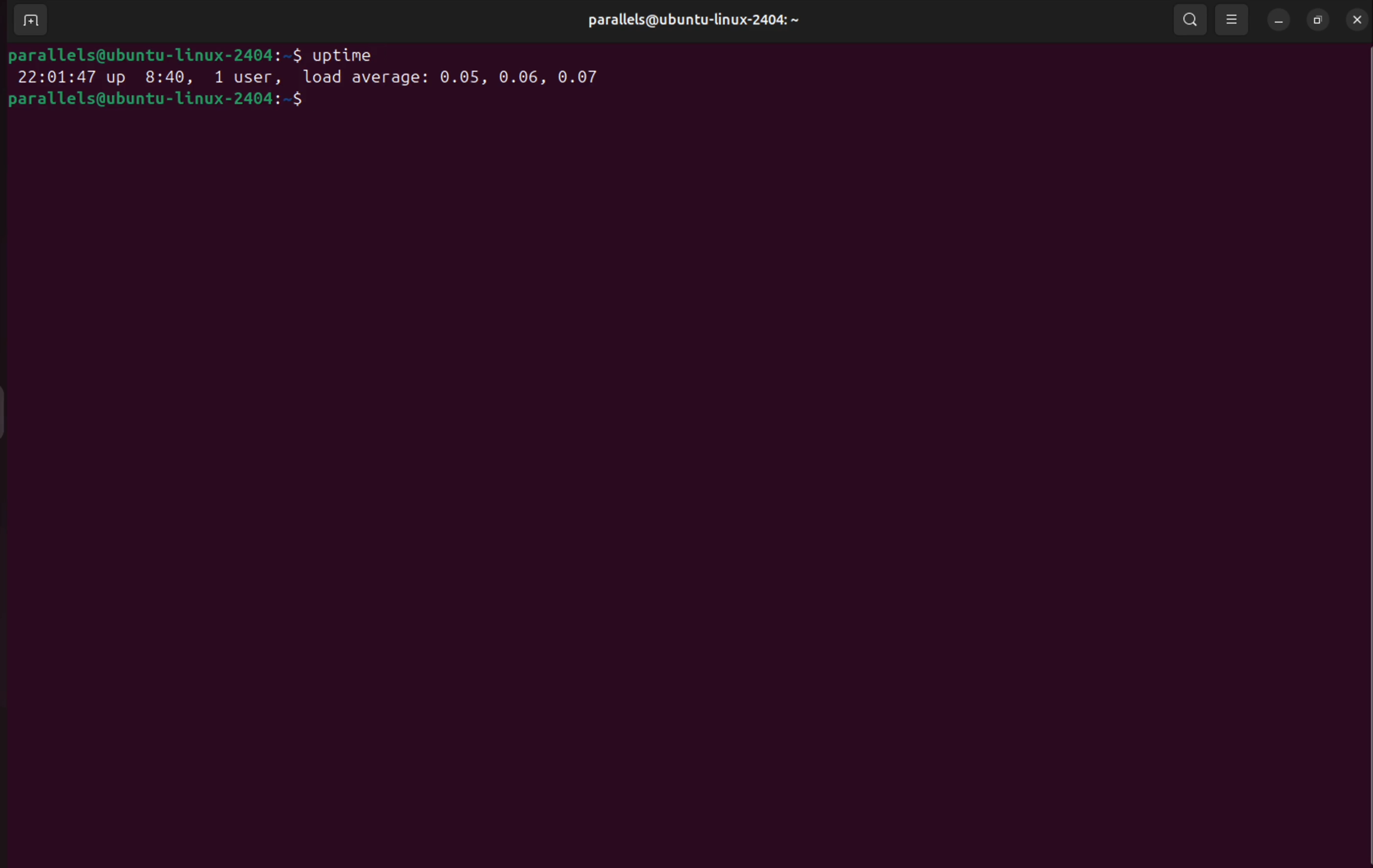 This screenshot has width=1373, height=868. Describe the element at coordinates (170, 76) in the screenshot. I see `8.40` at that location.